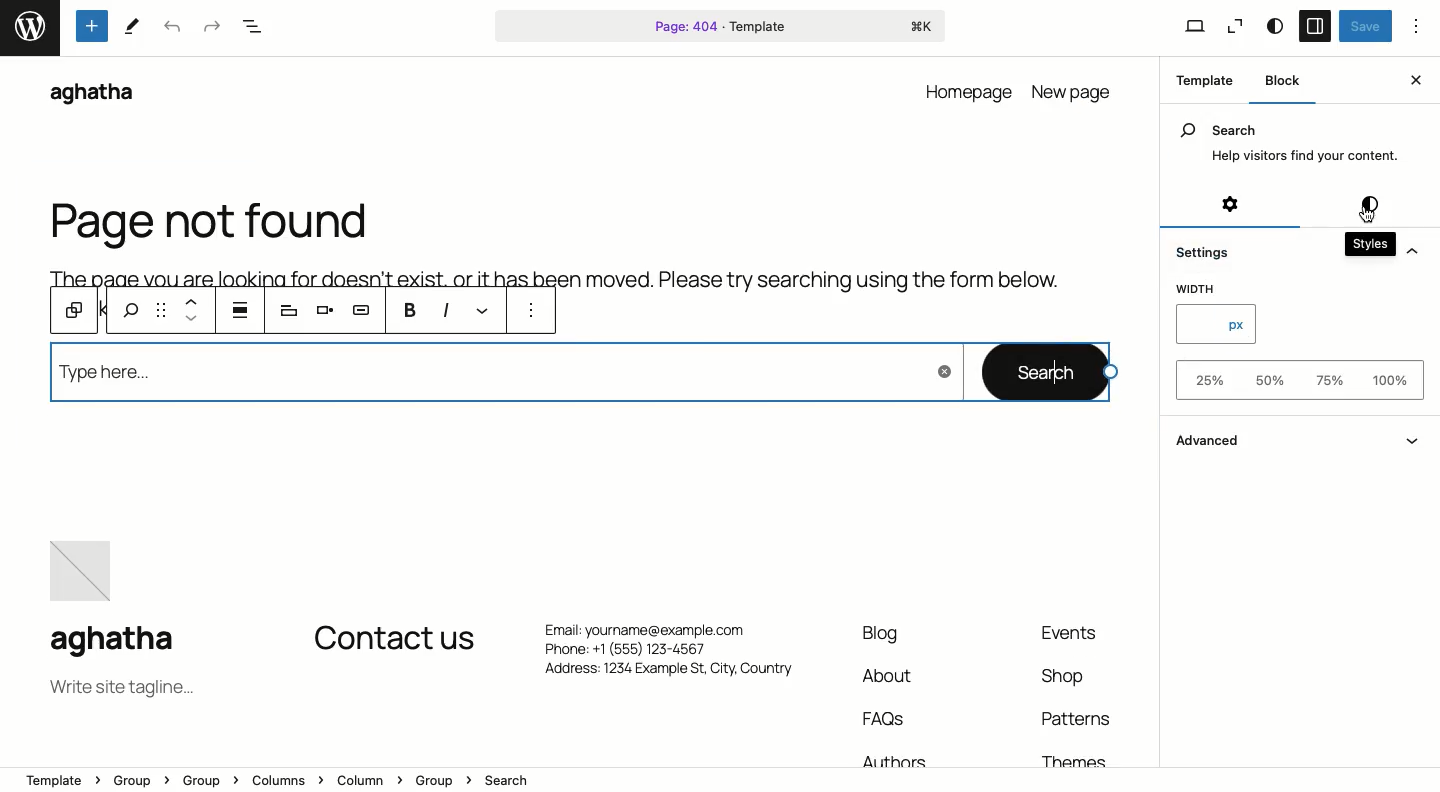 Image resolution: width=1440 pixels, height=792 pixels. What do you see at coordinates (252, 27) in the screenshot?
I see `Document overview` at bounding box center [252, 27].